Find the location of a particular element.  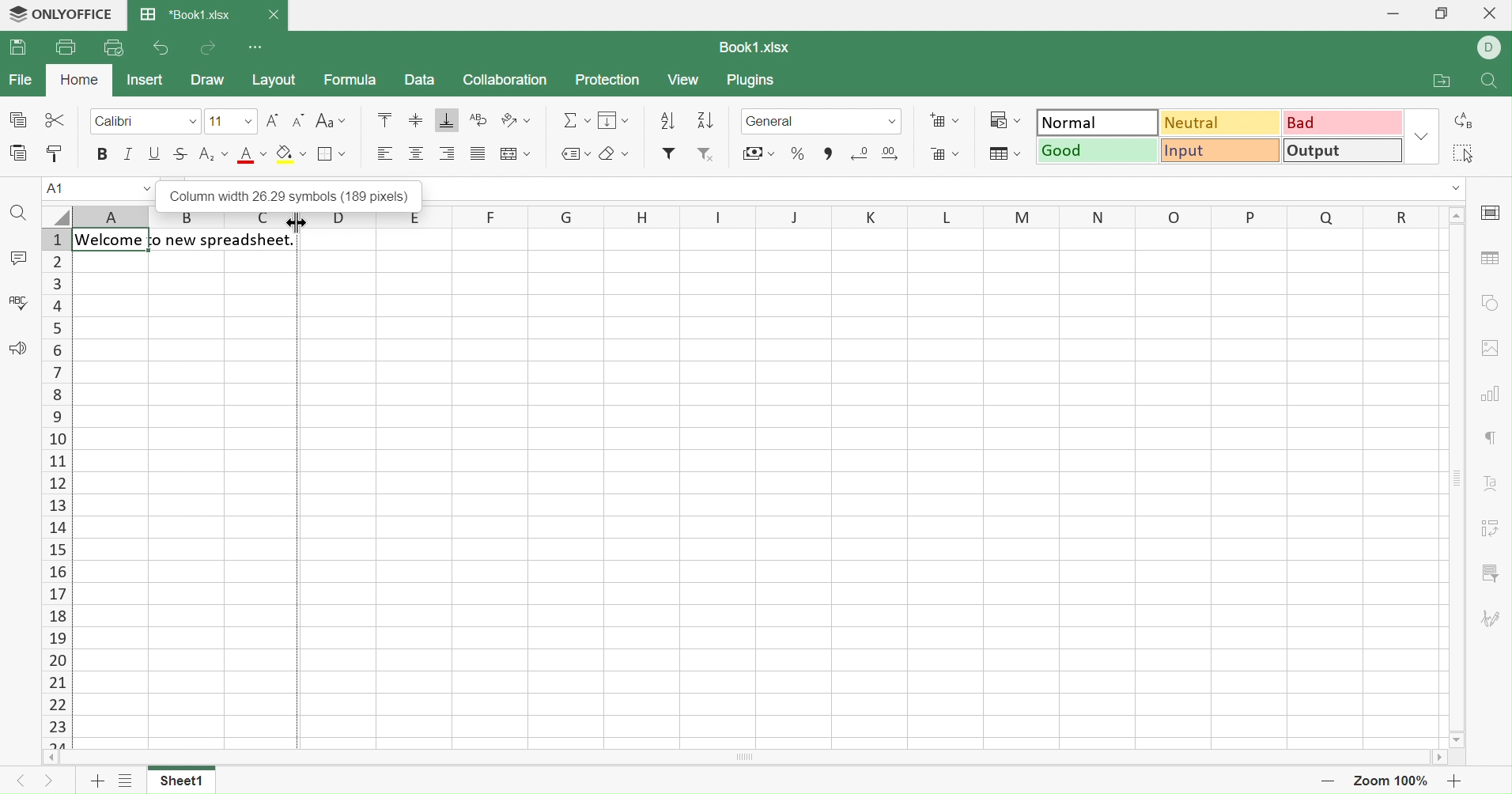

Paragraph settings is located at coordinates (1491, 440).